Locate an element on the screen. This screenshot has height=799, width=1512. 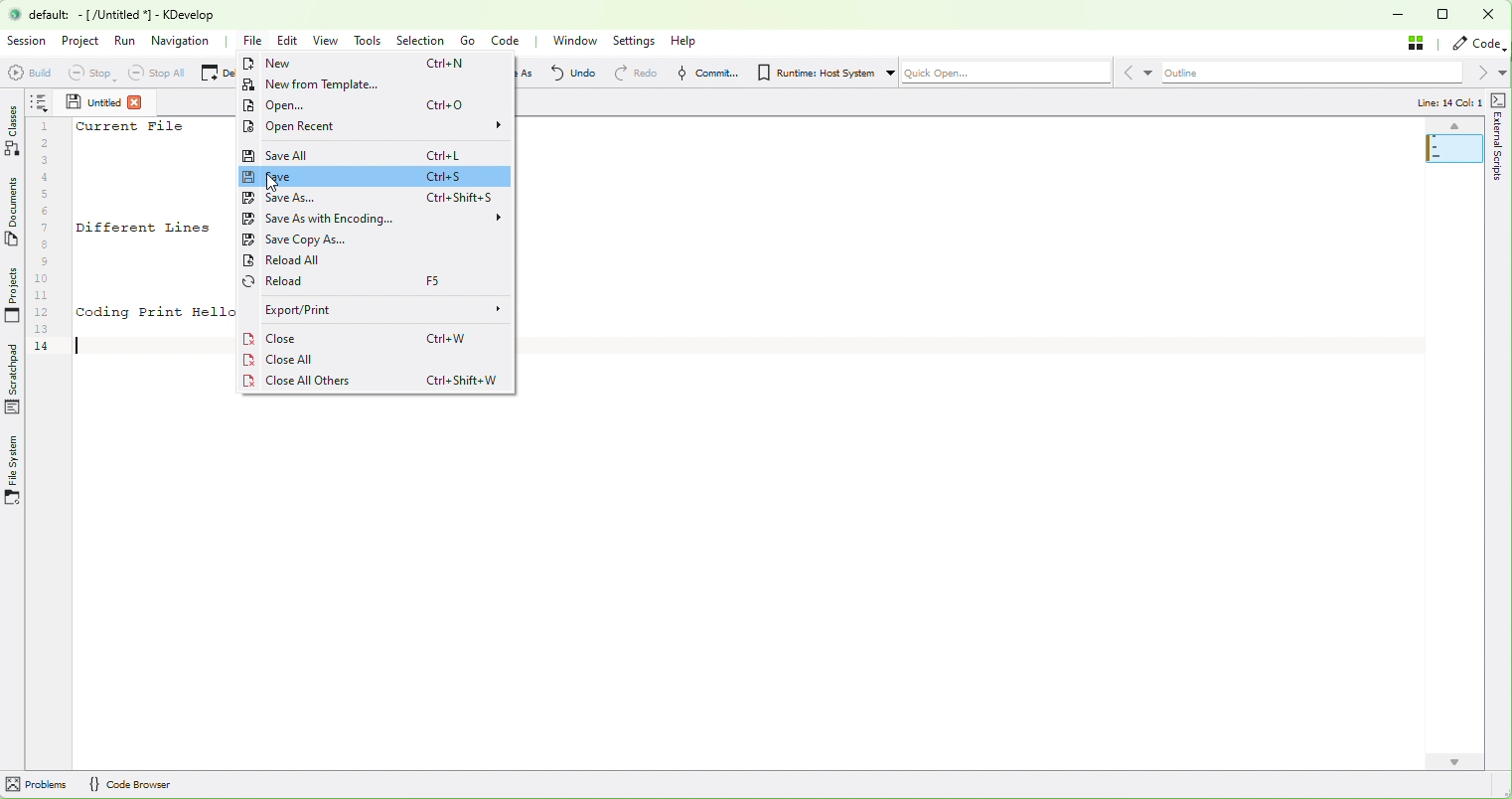
Session is located at coordinates (28, 41).